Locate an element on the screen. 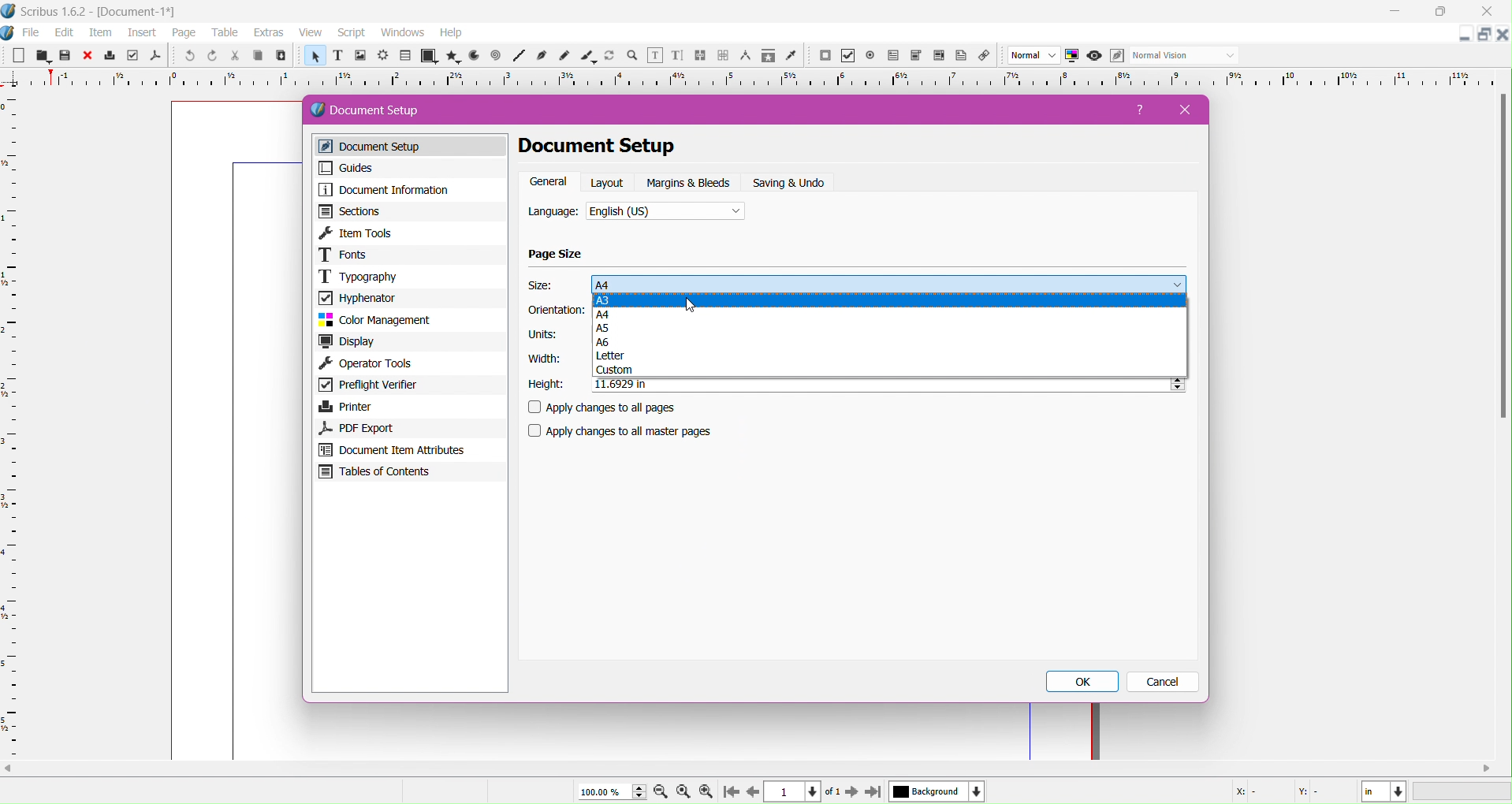 This screenshot has height=804, width=1512. rotate item is located at coordinates (611, 57).